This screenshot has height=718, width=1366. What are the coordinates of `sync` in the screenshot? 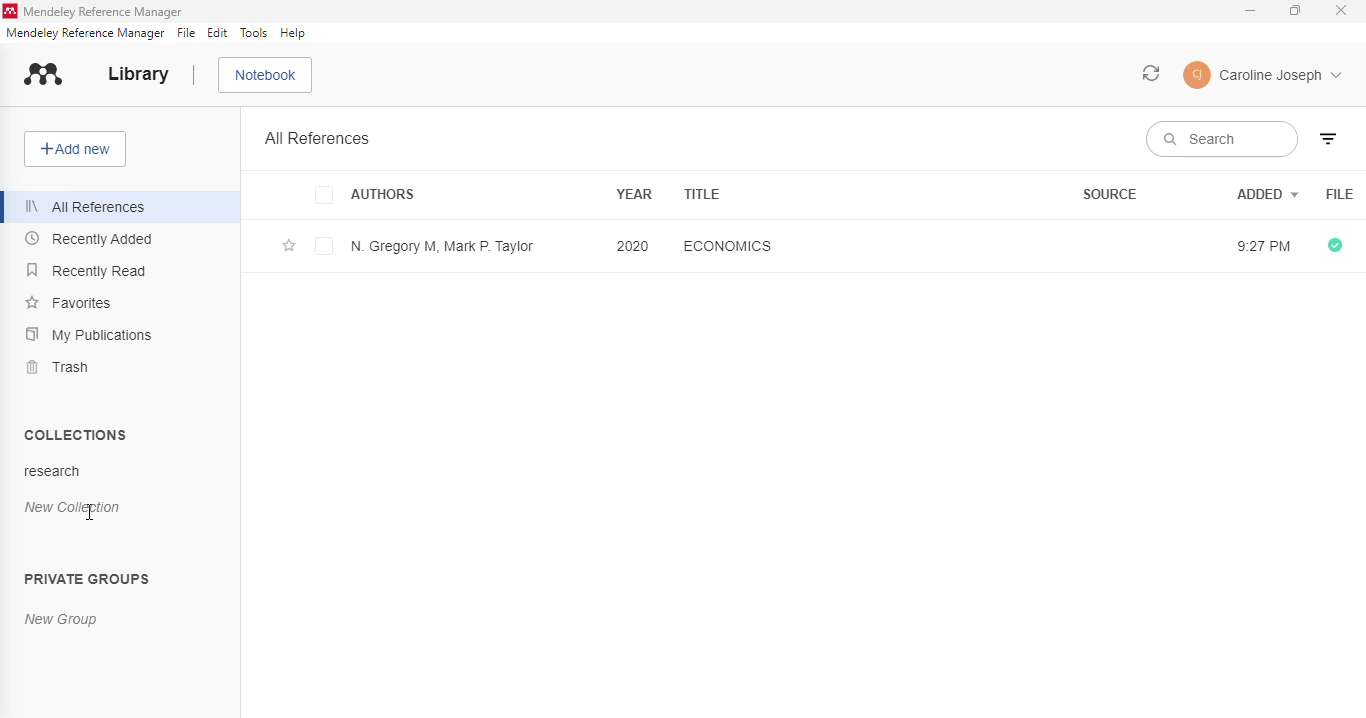 It's located at (1152, 73).